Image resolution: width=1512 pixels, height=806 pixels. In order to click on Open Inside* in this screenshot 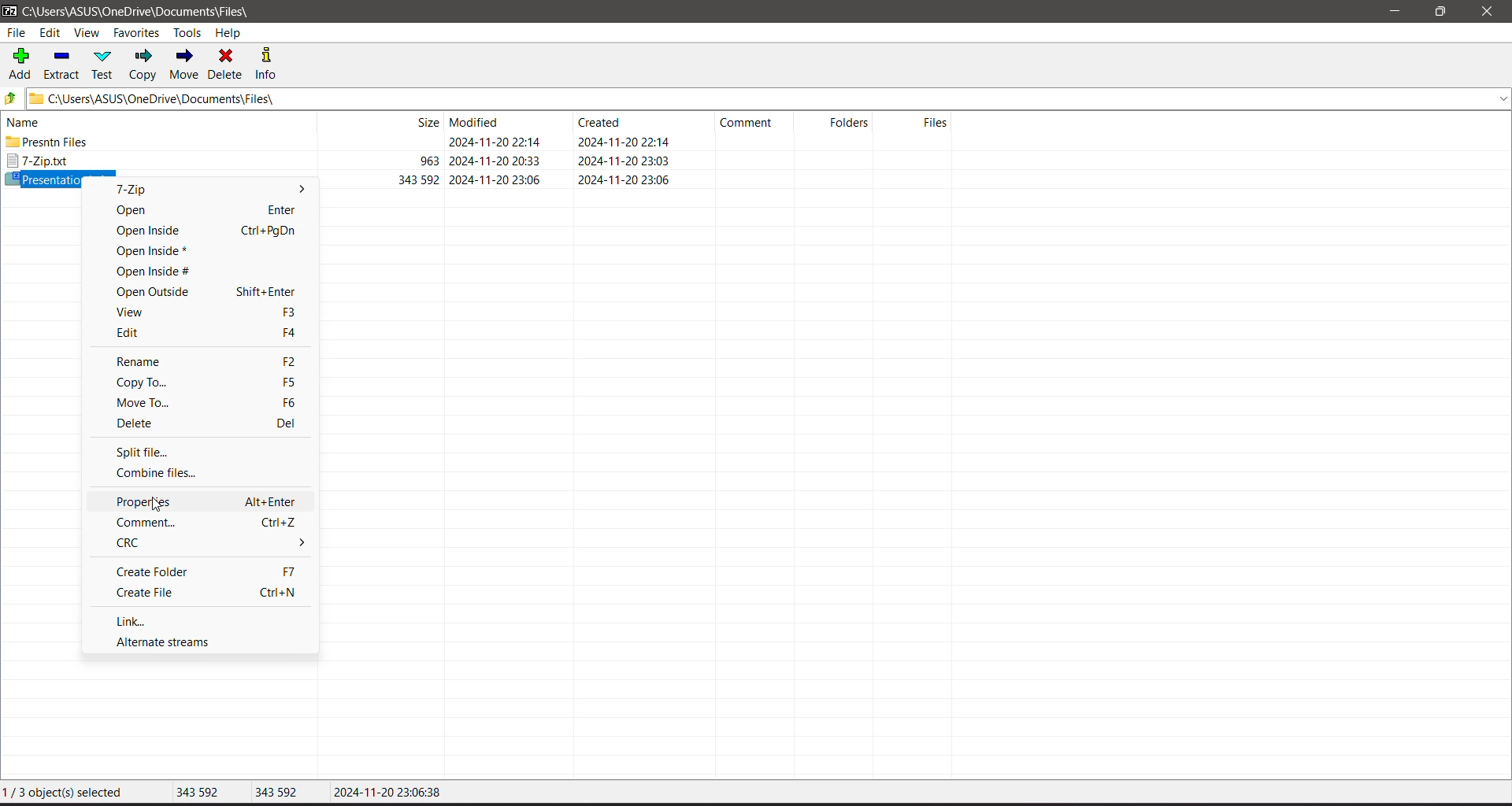, I will do `click(143, 251)`.